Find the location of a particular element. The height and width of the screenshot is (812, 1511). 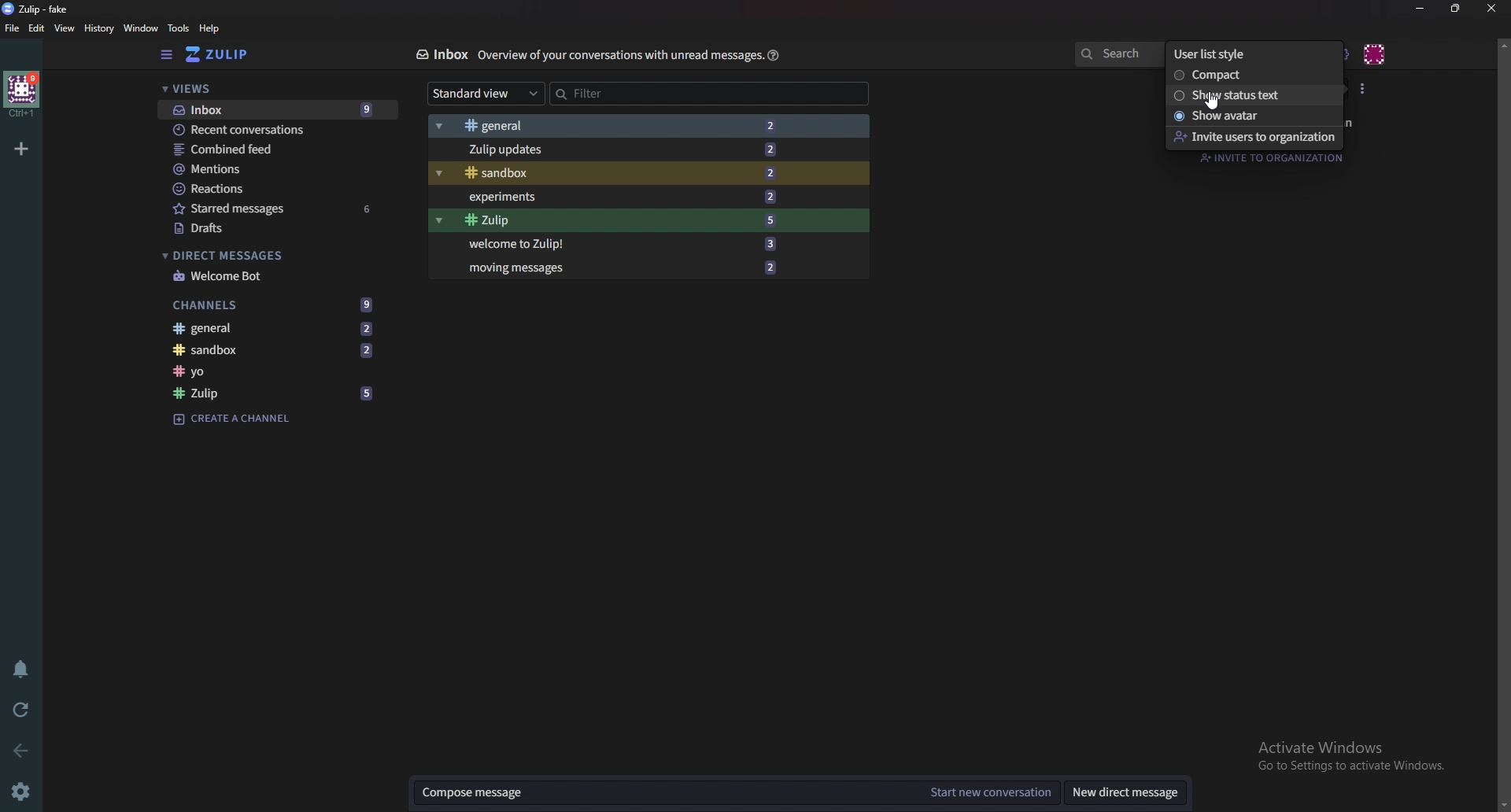

Experiments is located at coordinates (625, 196).